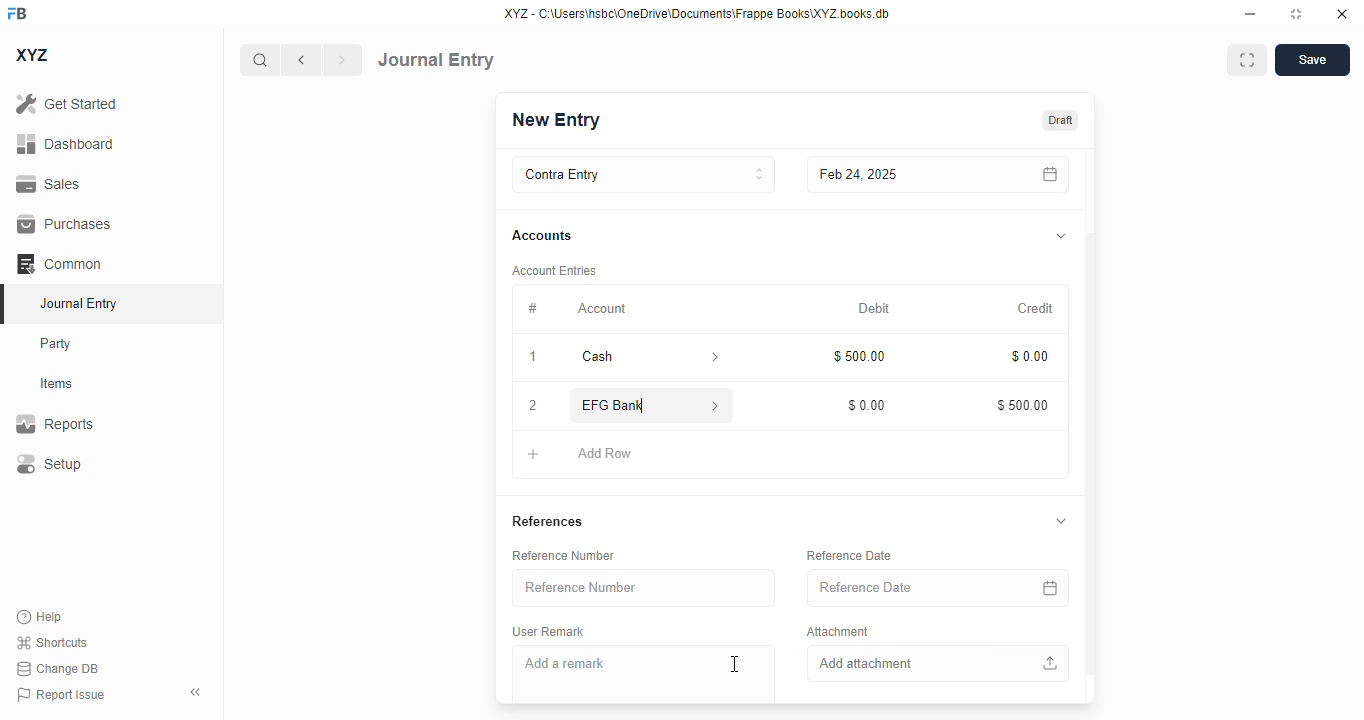 This screenshot has height=720, width=1364. What do you see at coordinates (1247, 60) in the screenshot?
I see `maximise window` at bounding box center [1247, 60].